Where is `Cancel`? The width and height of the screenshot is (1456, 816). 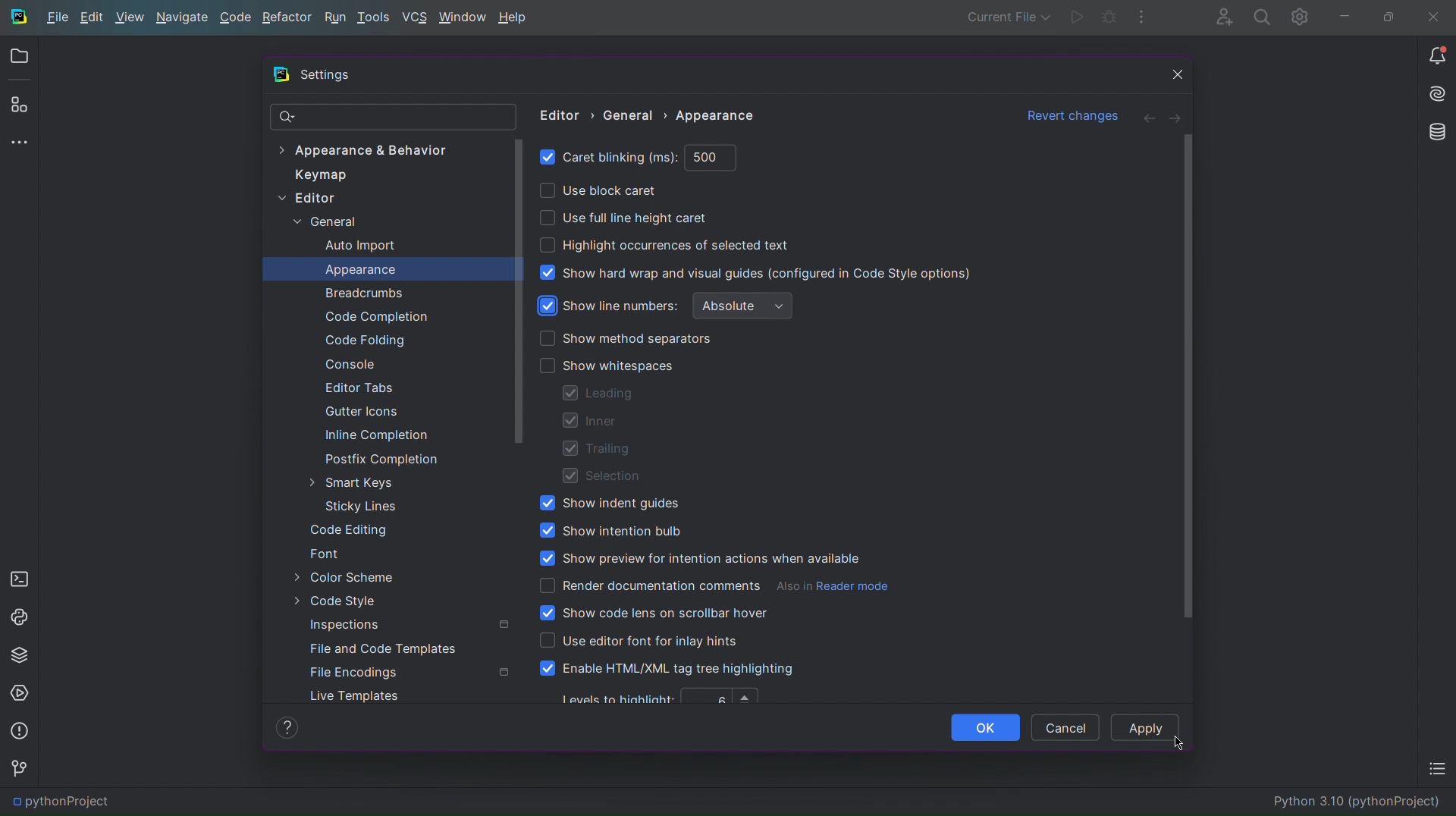
Cancel is located at coordinates (1065, 726).